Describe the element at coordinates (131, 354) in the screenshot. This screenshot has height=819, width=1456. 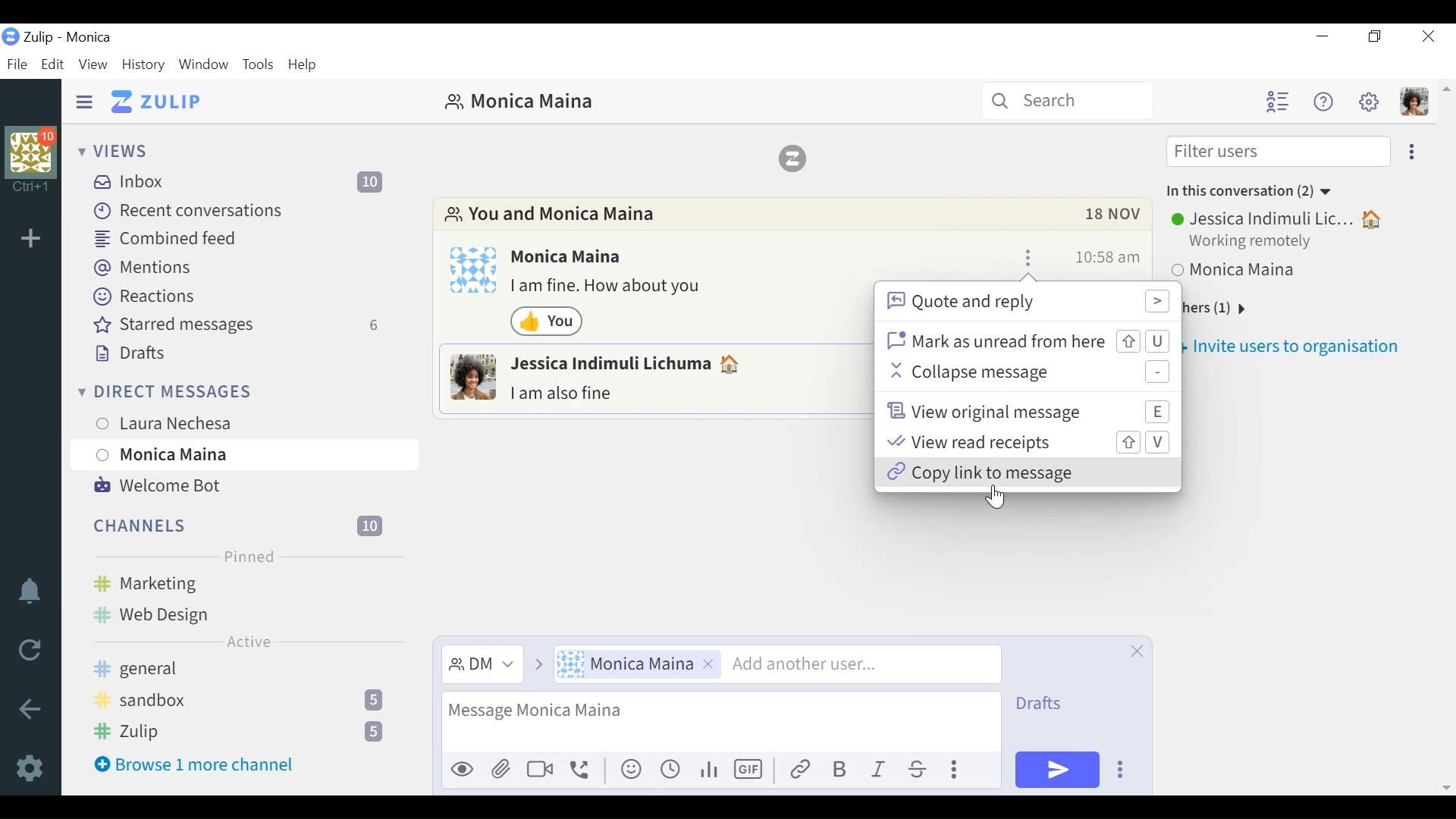
I see `Drafts` at that location.